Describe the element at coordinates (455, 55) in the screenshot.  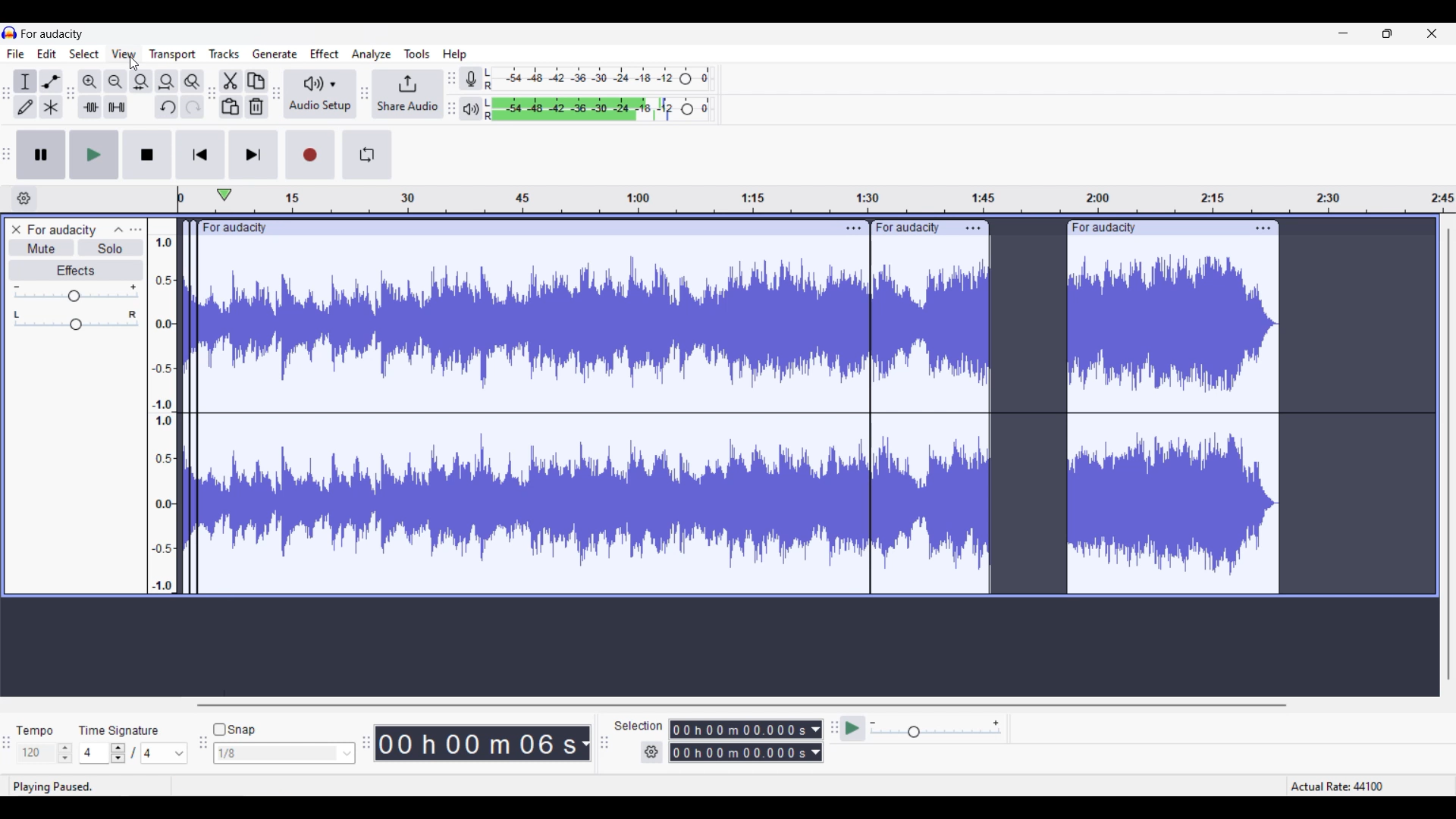
I see `Help menu` at that location.